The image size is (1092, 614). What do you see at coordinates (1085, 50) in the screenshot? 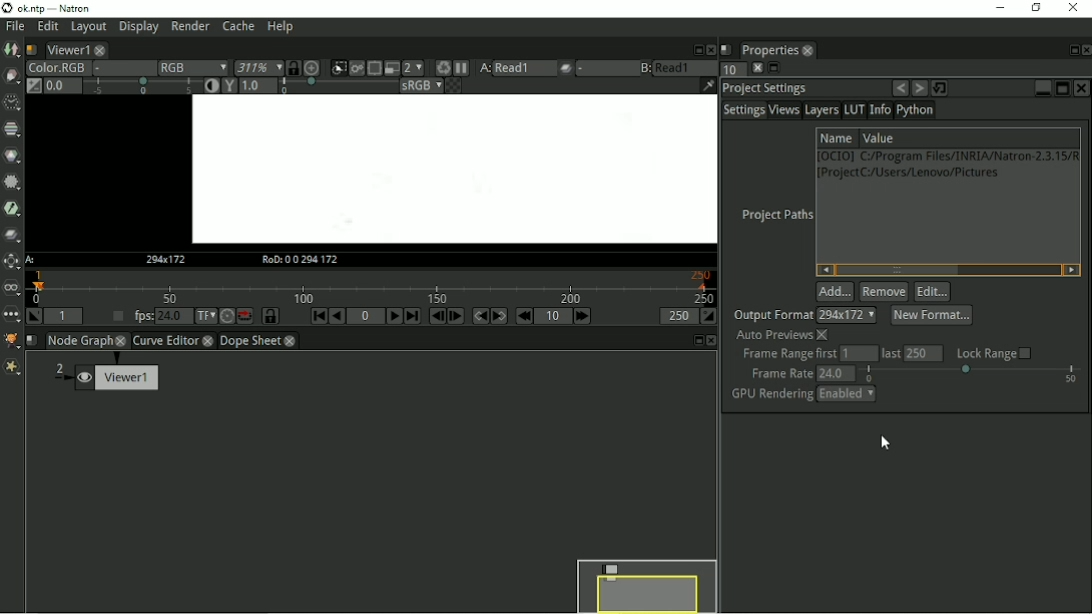
I see `Close` at bounding box center [1085, 50].